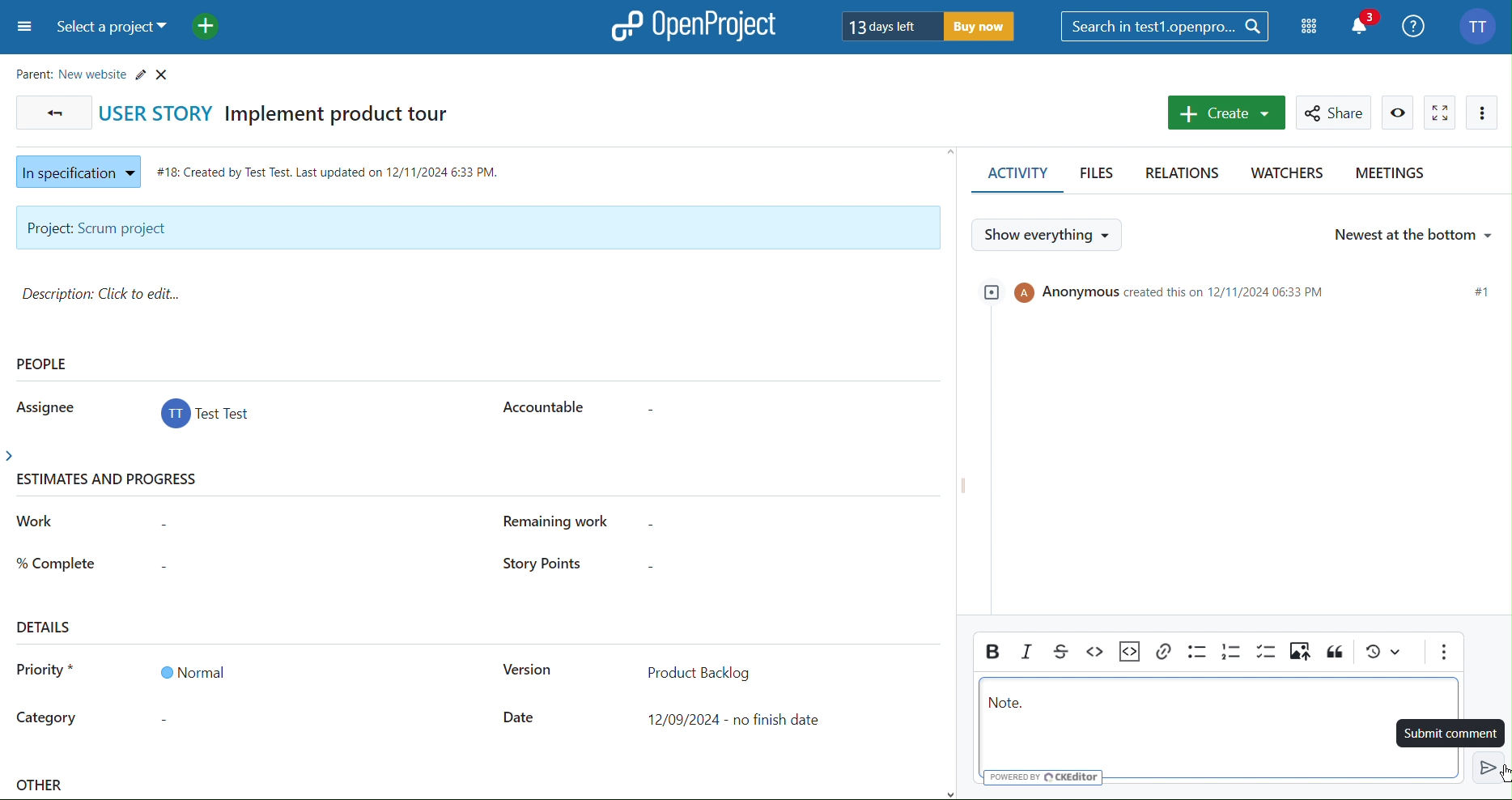 Image resolution: width=1512 pixels, height=800 pixels. Describe the element at coordinates (207, 28) in the screenshot. I see `Add new` at that location.